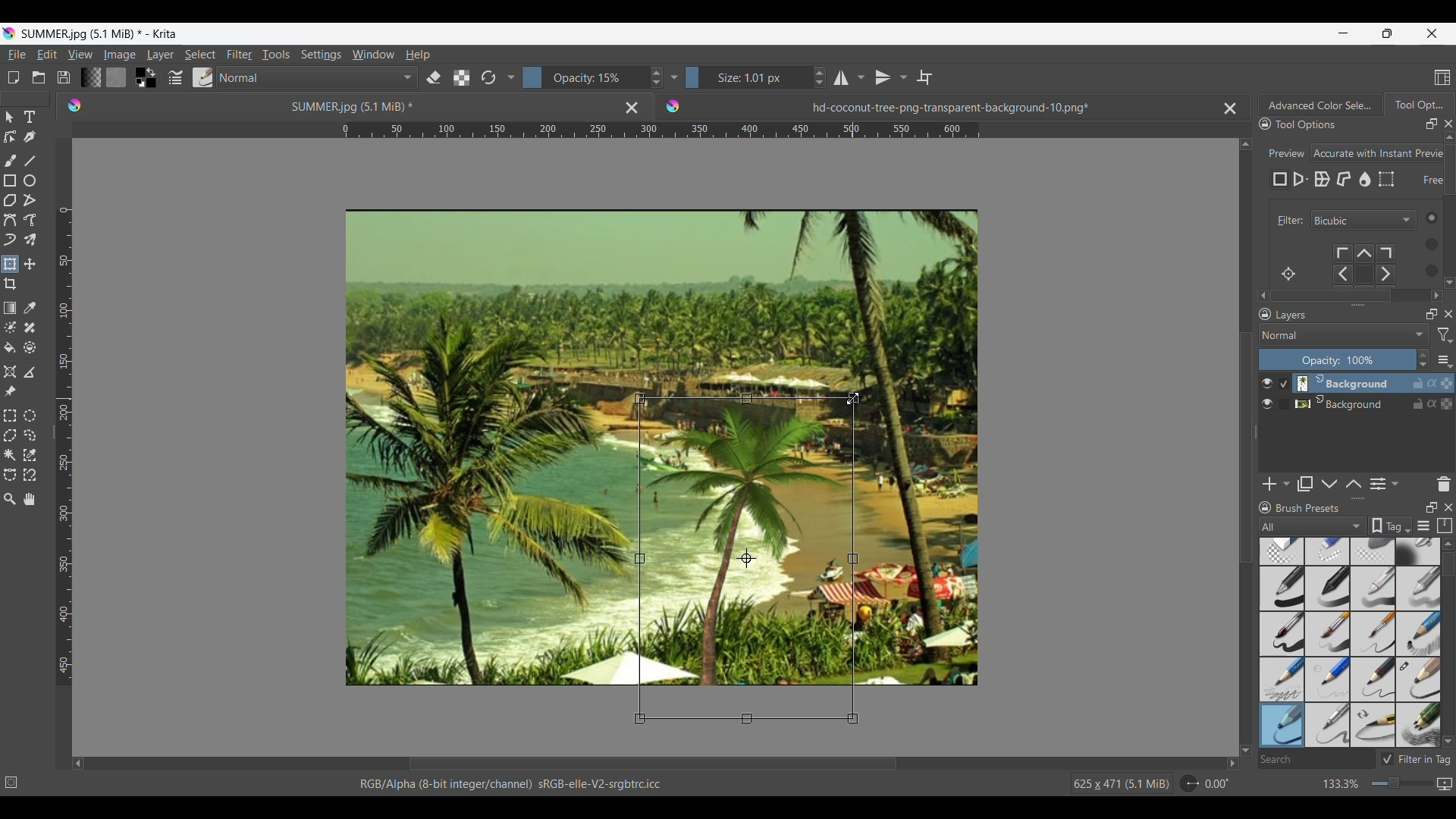 Image resolution: width=1456 pixels, height=819 pixels. Describe the element at coordinates (372, 54) in the screenshot. I see `Window` at that location.